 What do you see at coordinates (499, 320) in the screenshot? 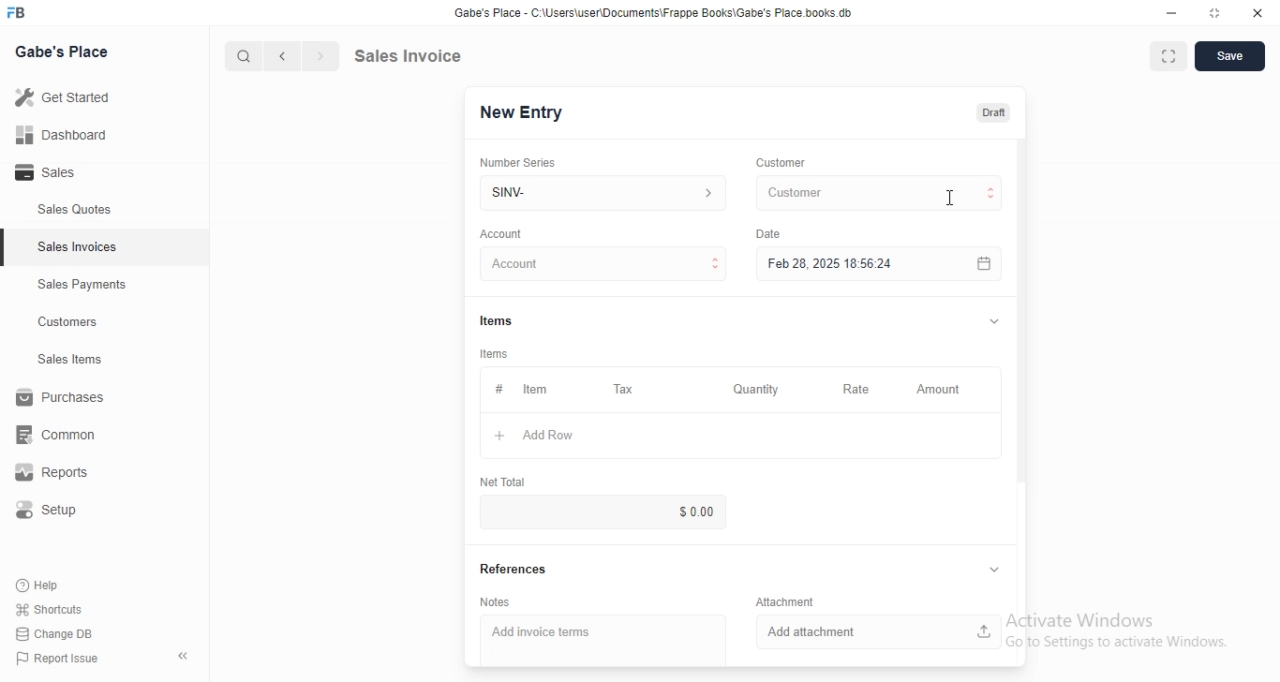
I see `` at bounding box center [499, 320].